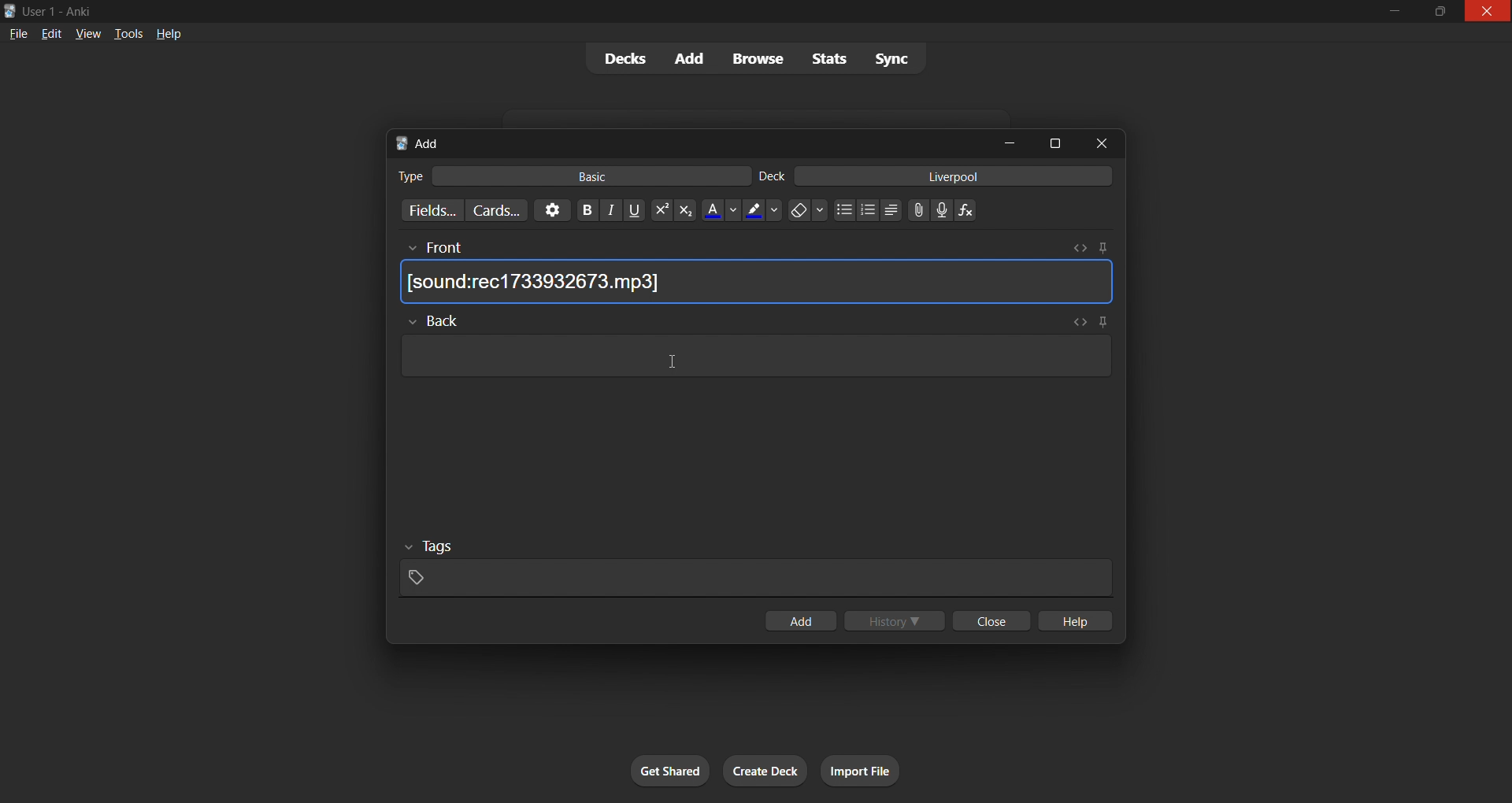 The width and height of the screenshot is (1512, 803). I want to click on file, so click(15, 35).